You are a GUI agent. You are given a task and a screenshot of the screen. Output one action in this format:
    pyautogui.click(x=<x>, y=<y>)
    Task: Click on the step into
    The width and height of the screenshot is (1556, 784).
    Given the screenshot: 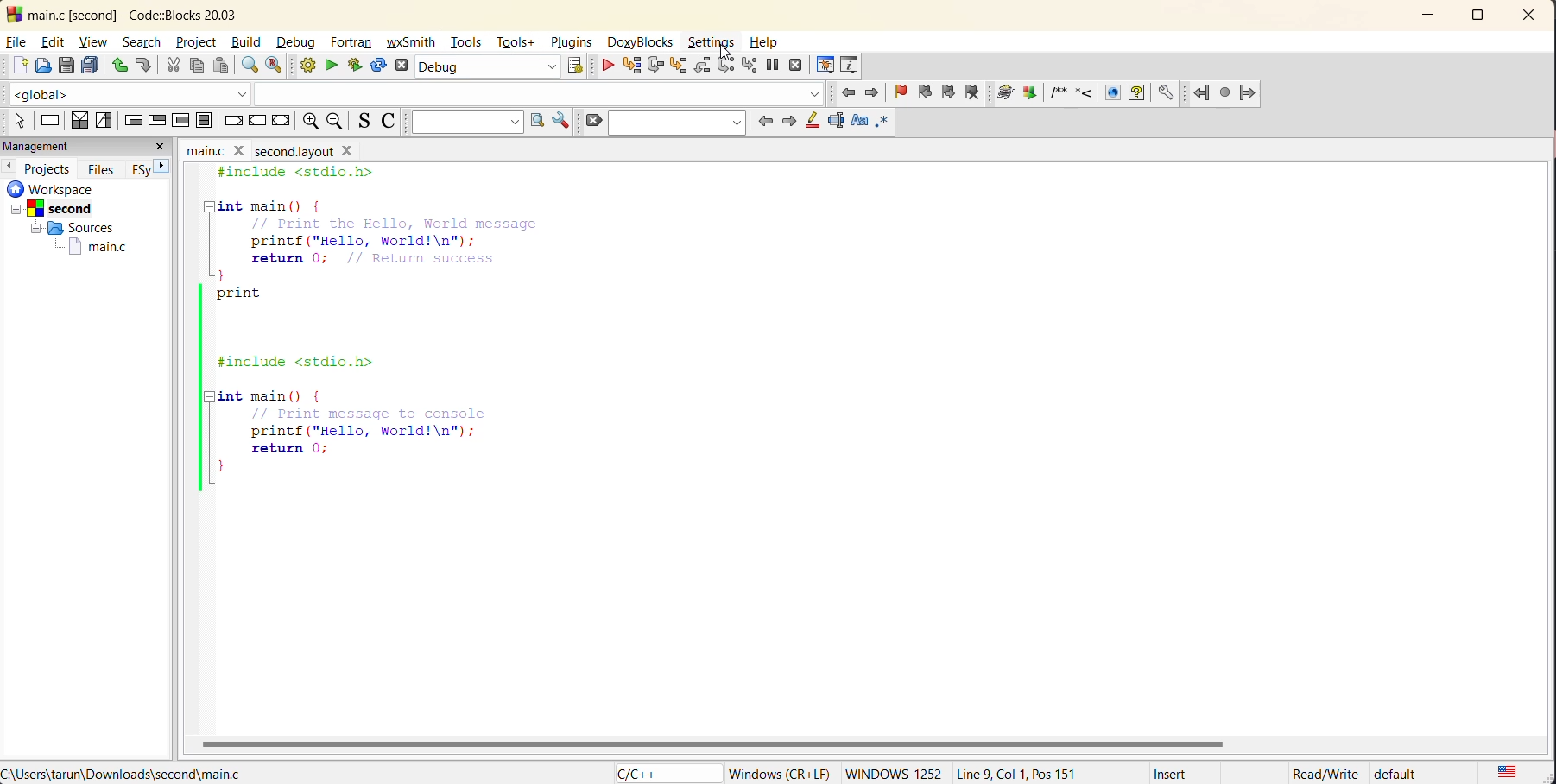 What is the action you would take?
    pyautogui.click(x=681, y=66)
    